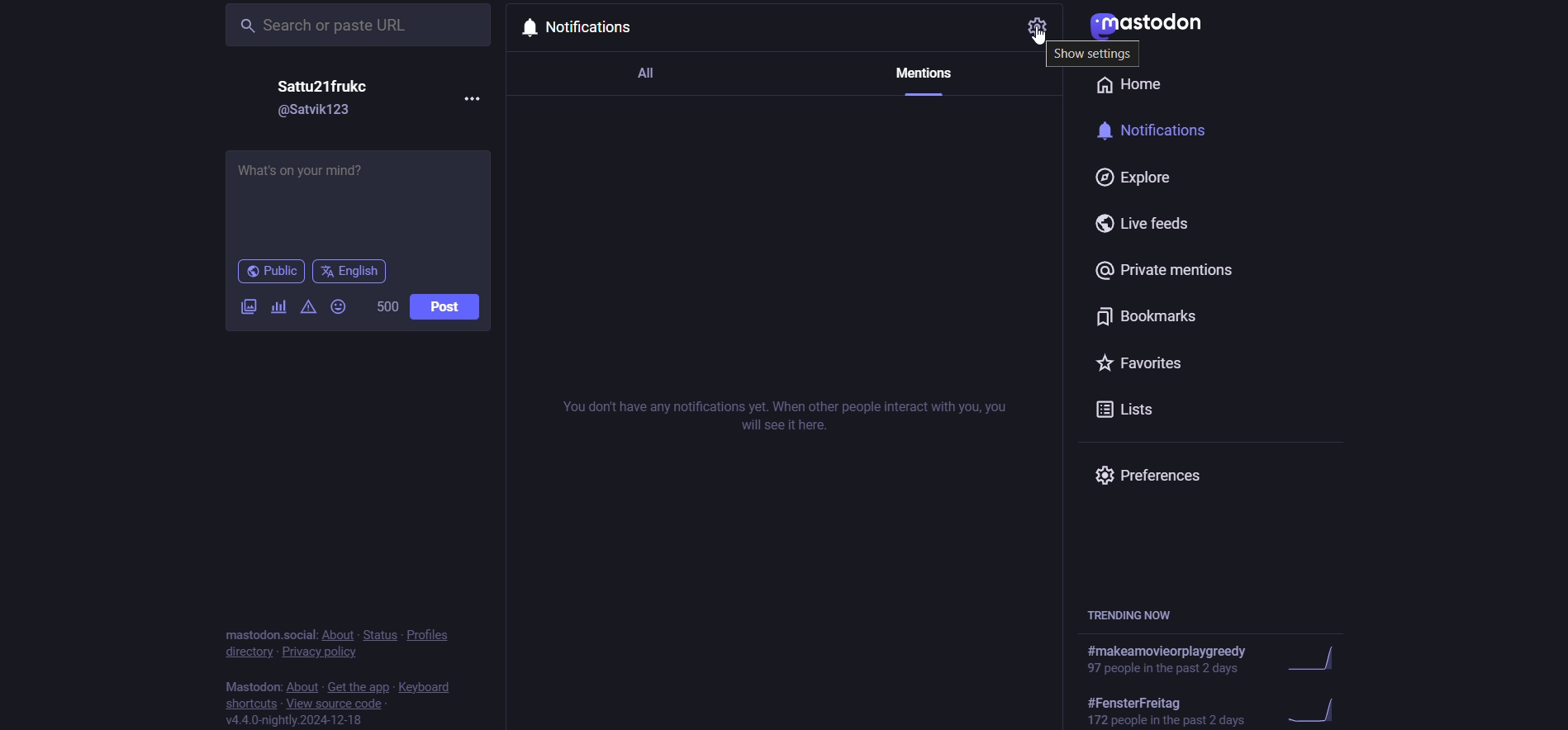 The height and width of the screenshot is (730, 1568). Describe the element at coordinates (355, 201) in the screenshot. I see `What's on your mind?` at that location.